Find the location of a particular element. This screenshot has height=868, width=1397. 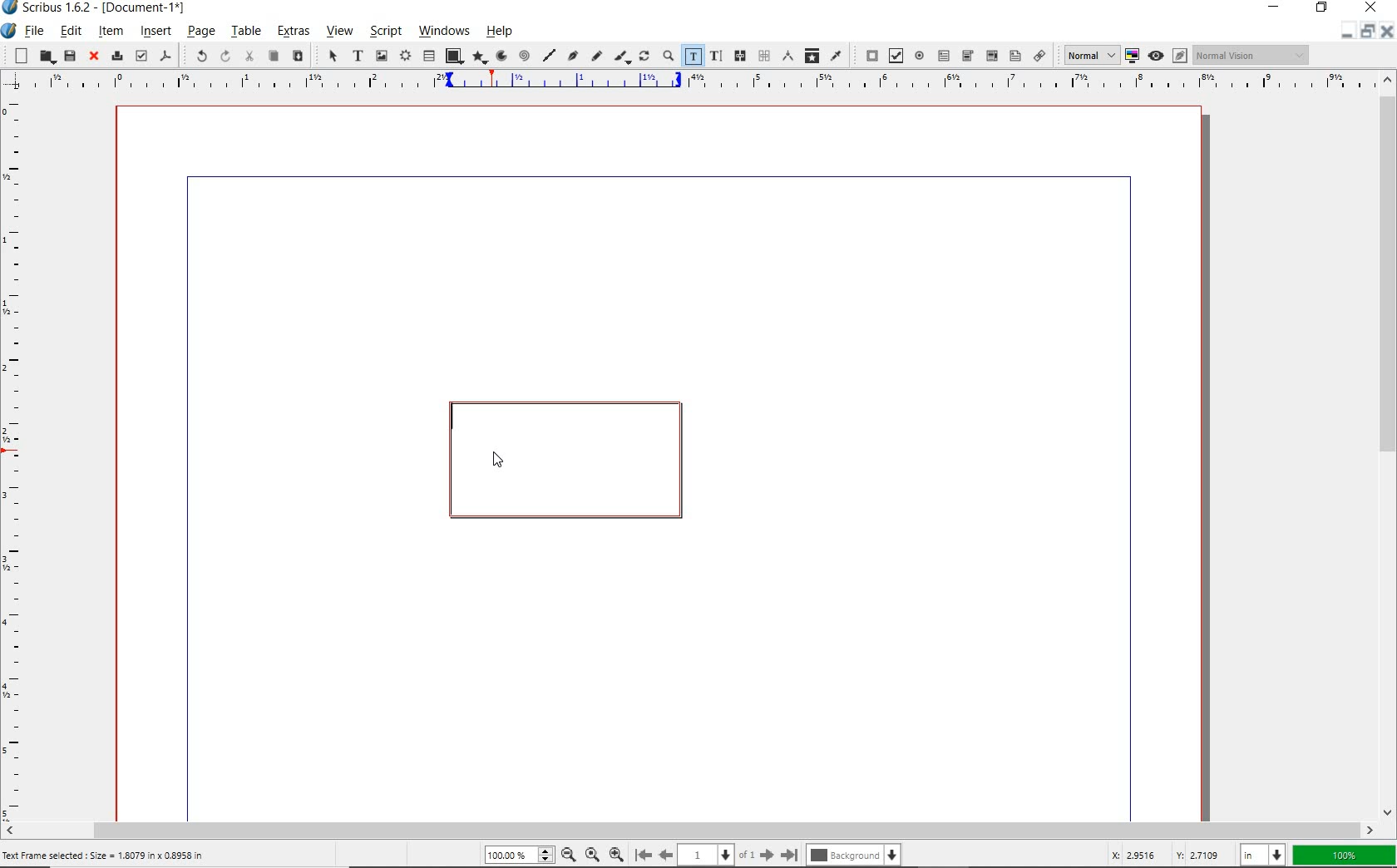

pdf radio button is located at coordinates (920, 56).